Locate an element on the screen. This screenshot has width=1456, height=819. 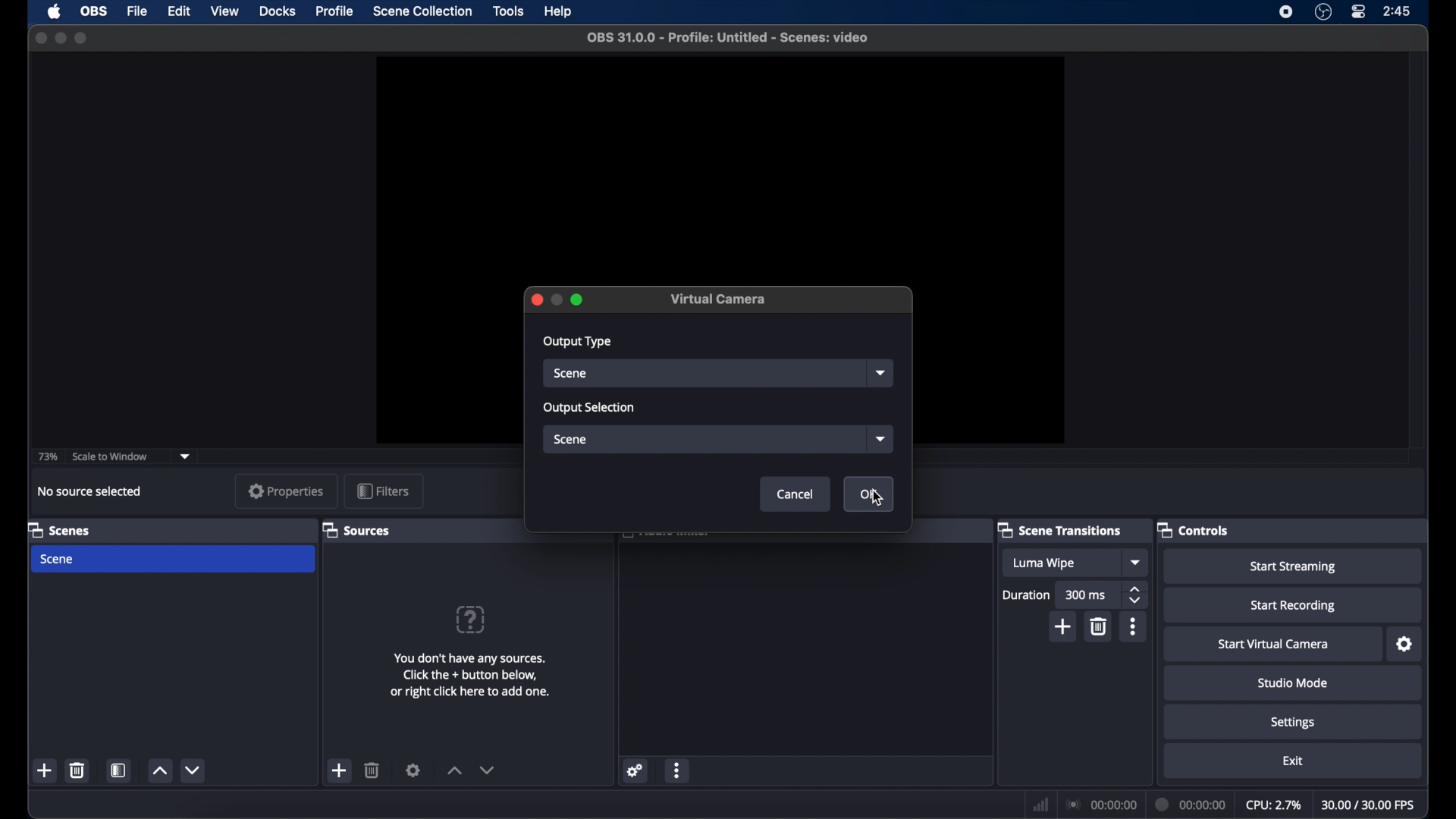
close is located at coordinates (534, 300).